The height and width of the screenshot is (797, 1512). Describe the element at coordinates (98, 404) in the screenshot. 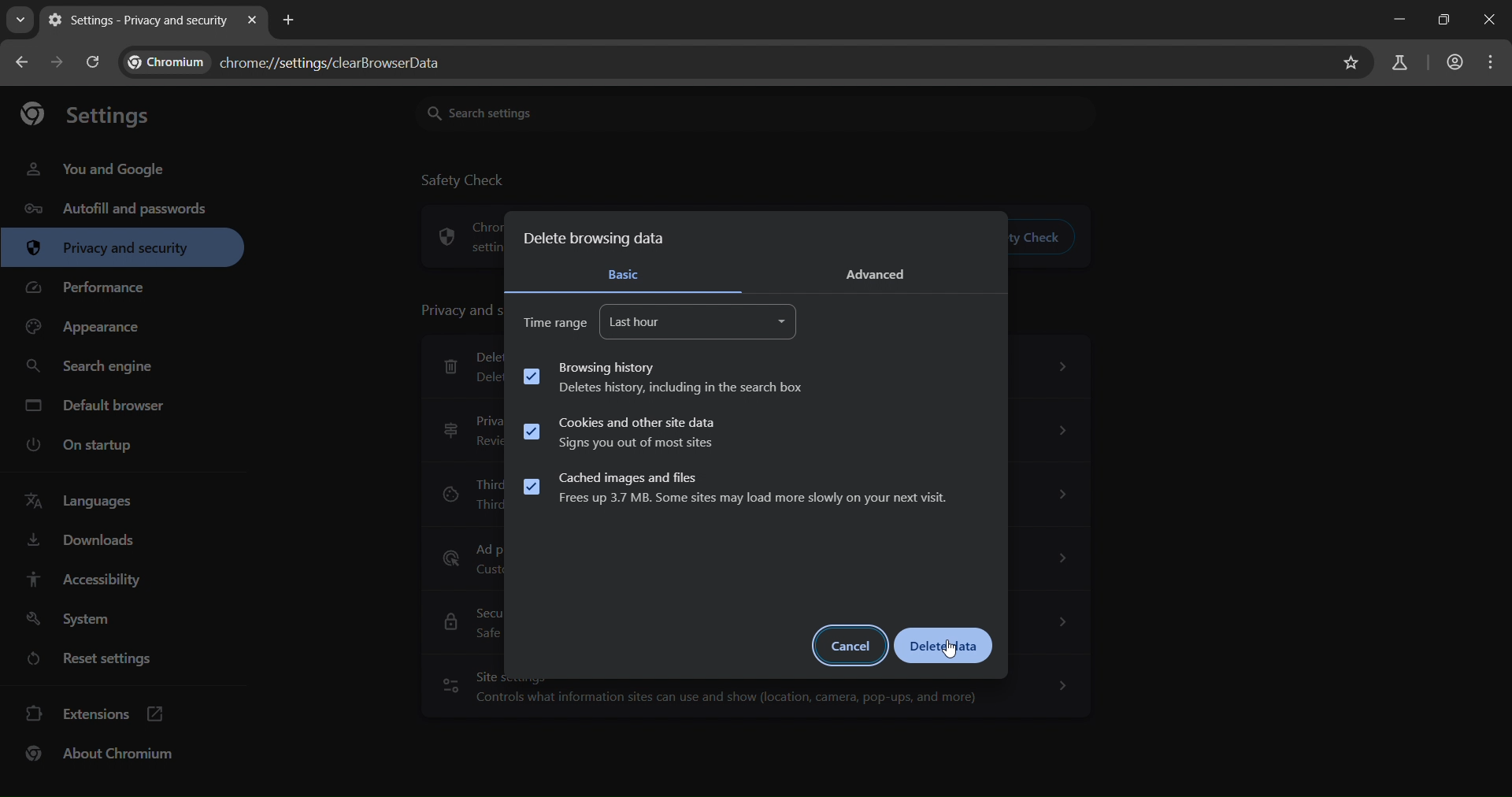

I see `default browser` at that location.